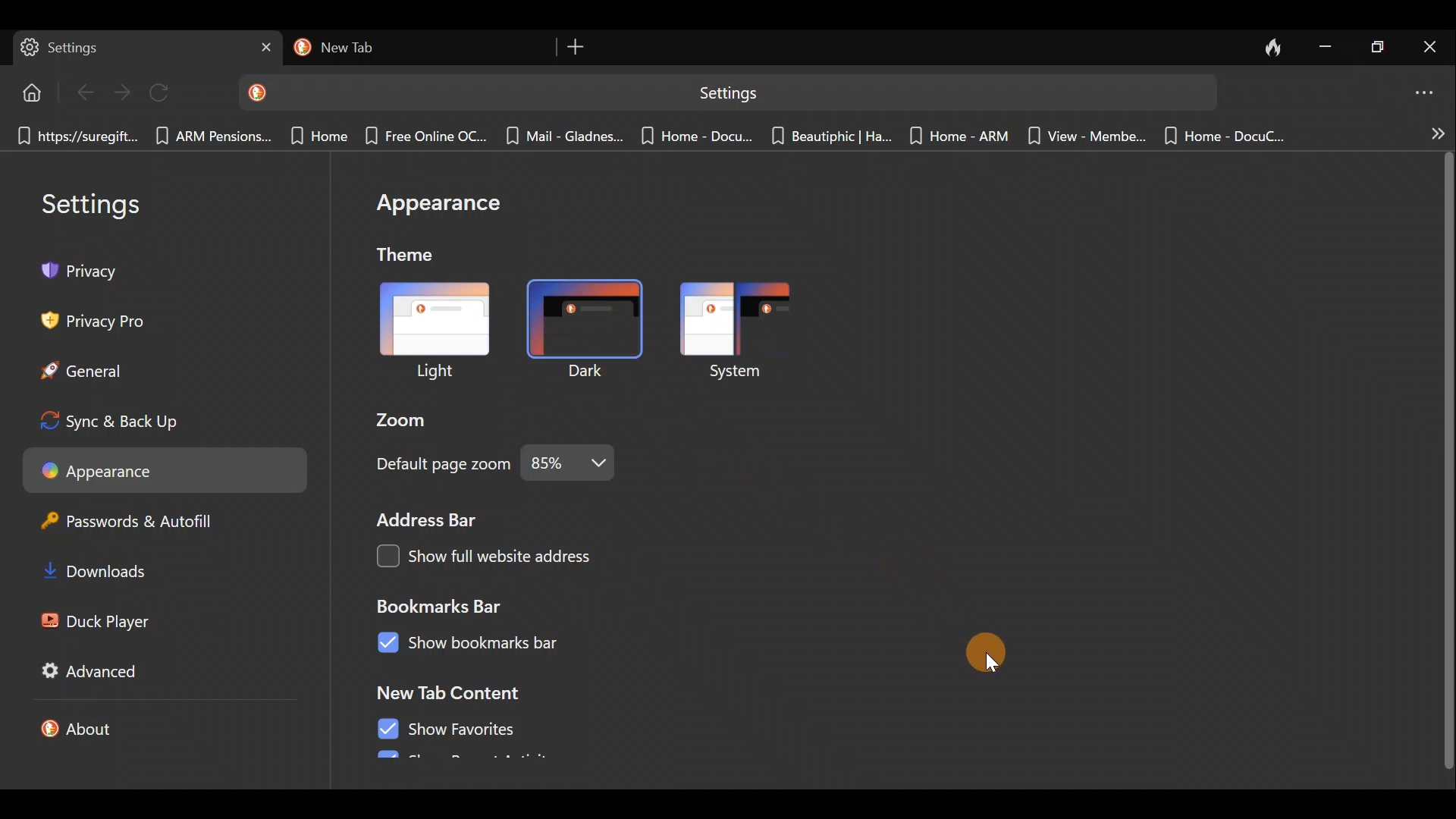 This screenshot has height=819, width=1456. I want to click on Bookmark 5, so click(563, 138).